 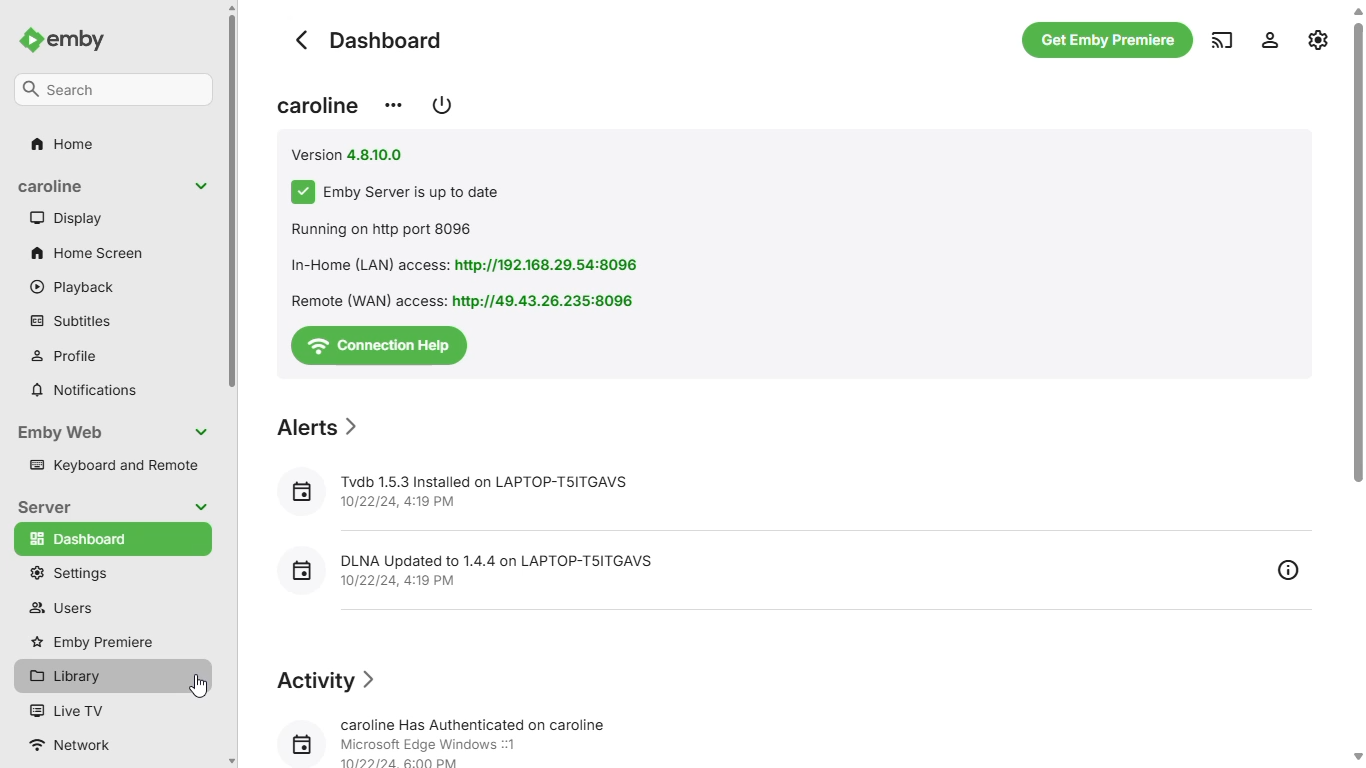 I want to click on home screen, so click(x=87, y=254).